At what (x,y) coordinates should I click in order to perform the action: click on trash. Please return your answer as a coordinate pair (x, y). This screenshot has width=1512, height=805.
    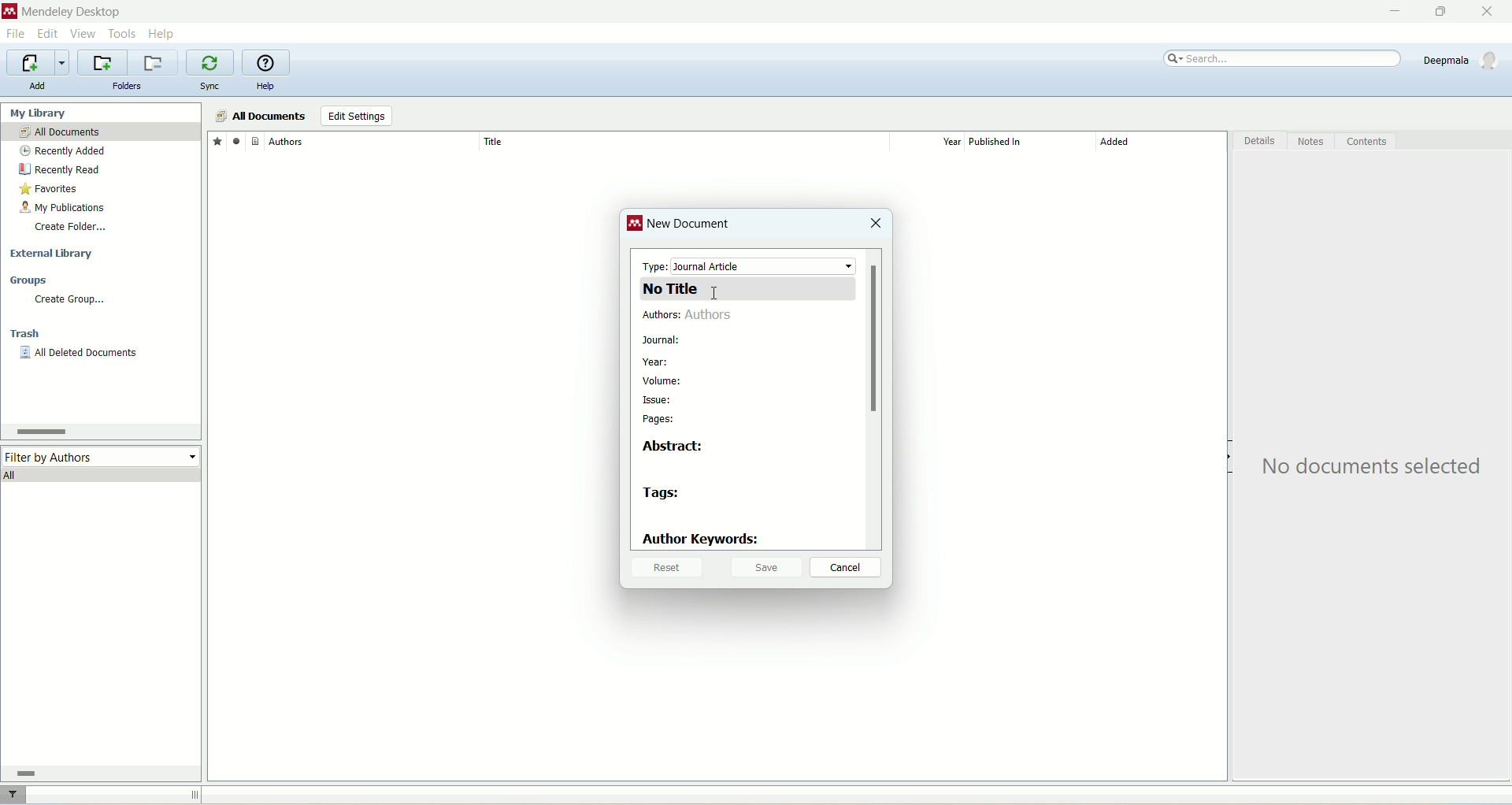
    Looking at the image, I should click on (28, 336).